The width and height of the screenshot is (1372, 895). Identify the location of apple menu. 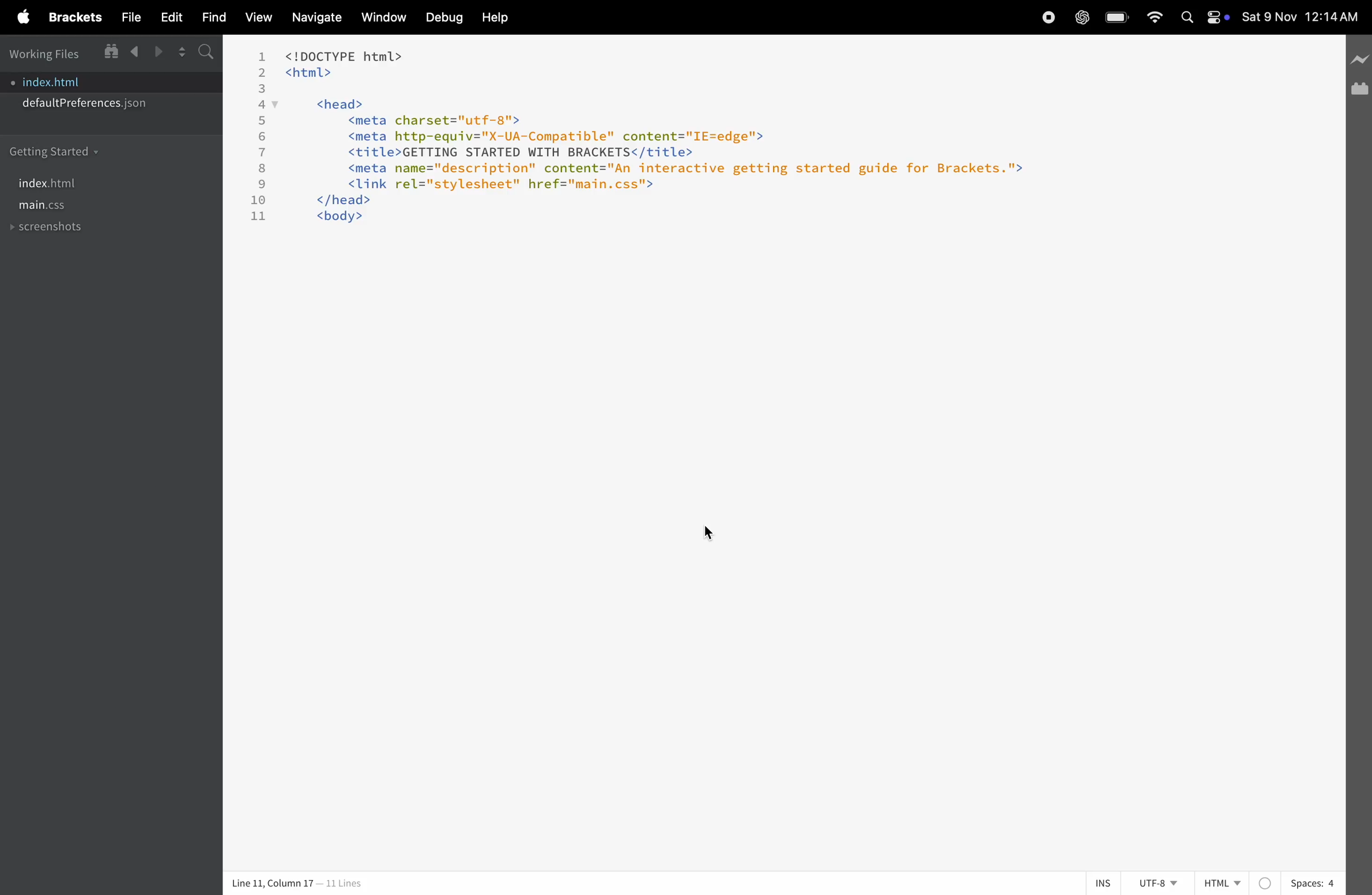
(24, 18).